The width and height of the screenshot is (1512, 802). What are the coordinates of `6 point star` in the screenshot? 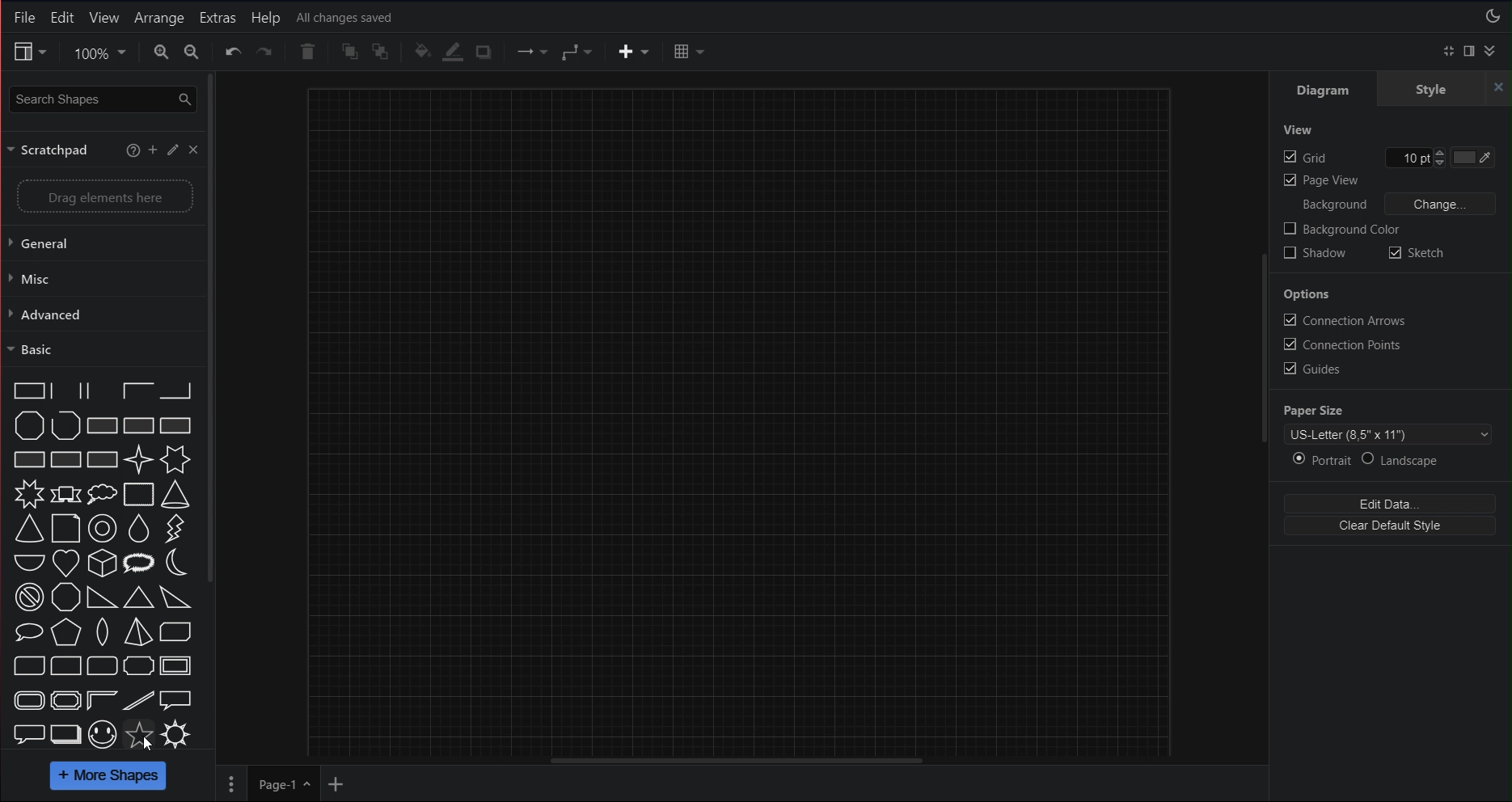 It's located at (175, 459).